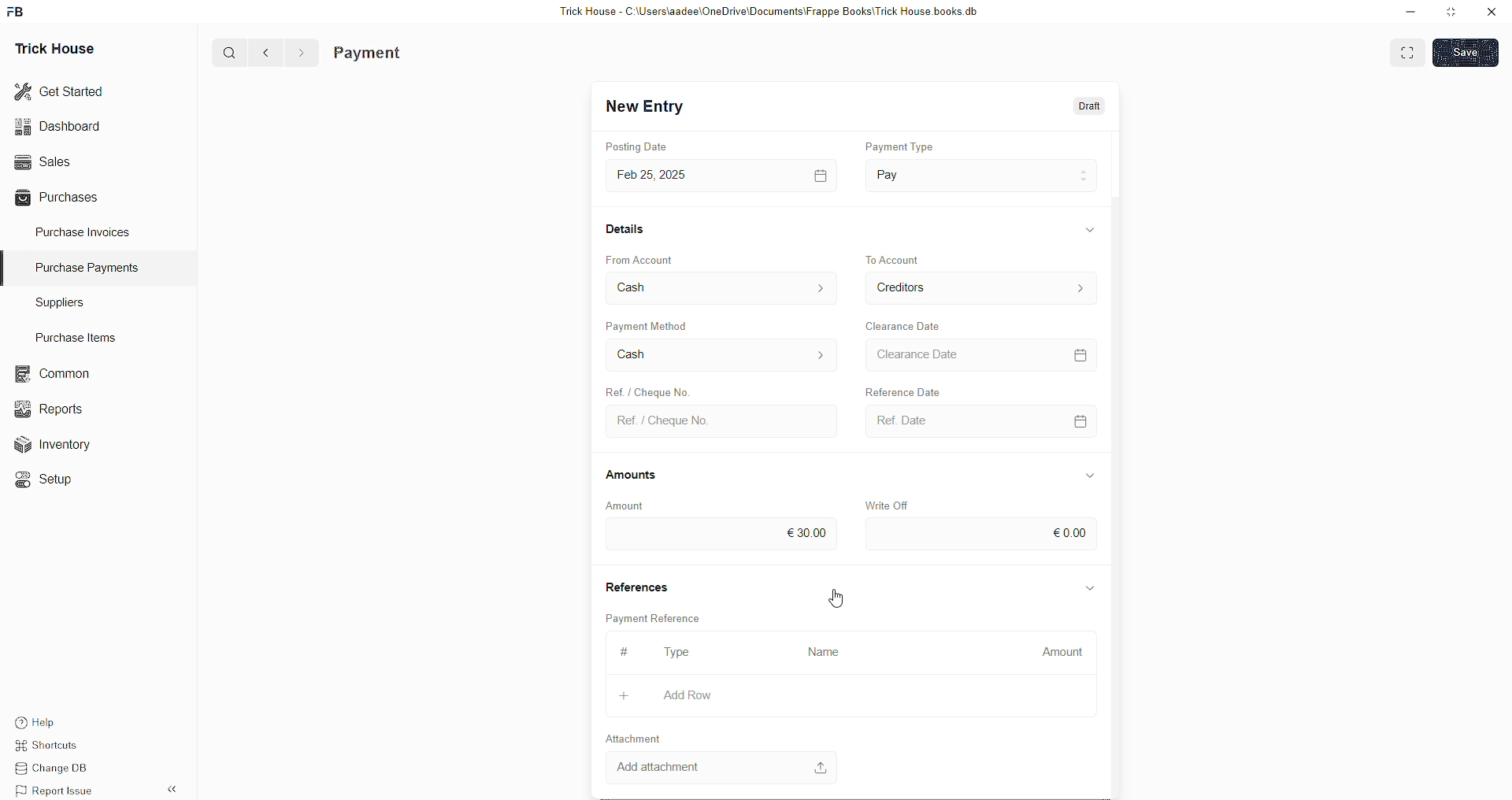  Describe the element at coordinates (895, 391) in the screenshot. I see `Reference Date` at that location.